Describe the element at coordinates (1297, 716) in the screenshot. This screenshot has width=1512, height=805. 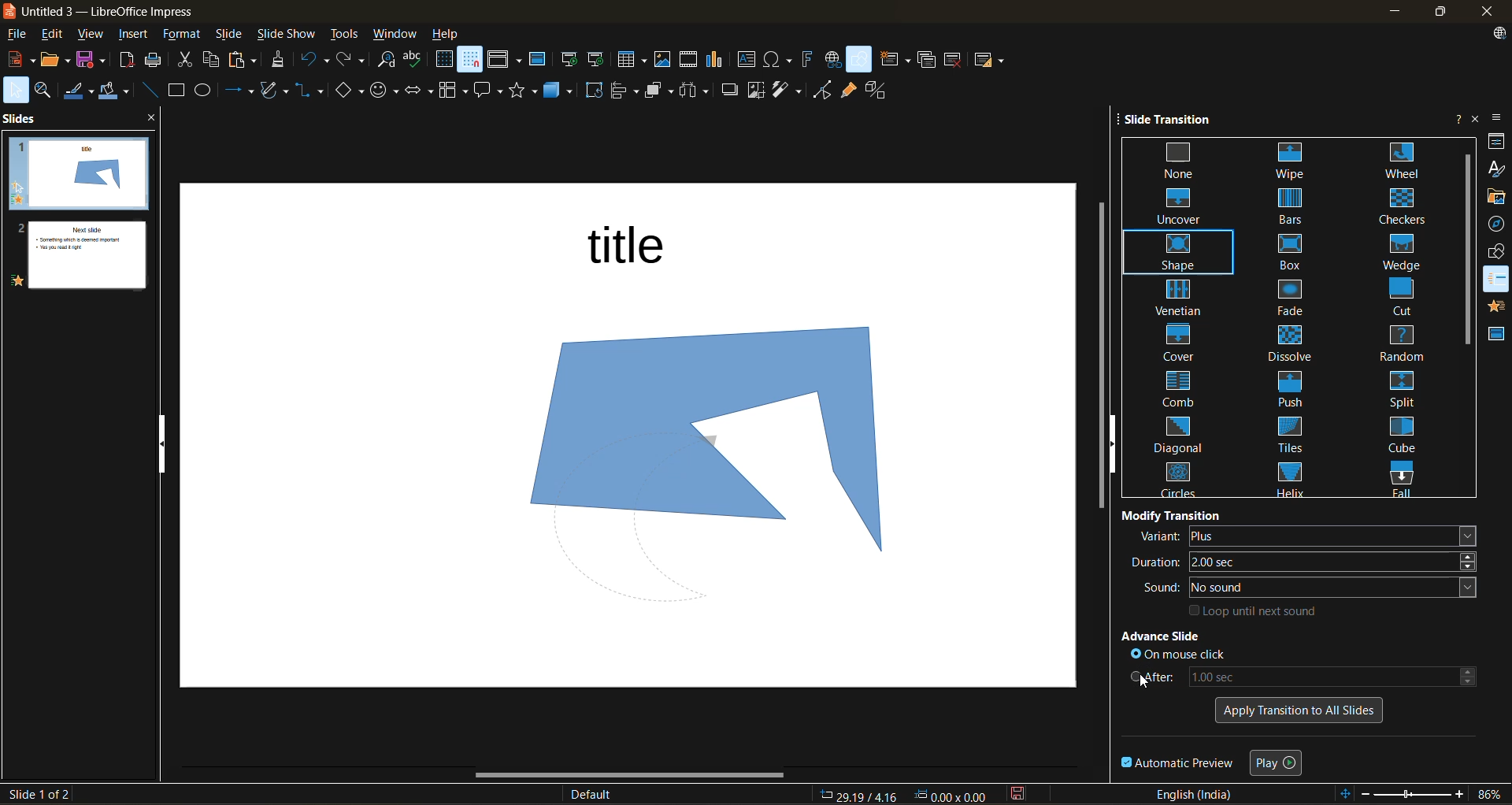
I see `apply transition to all slides` at that location.